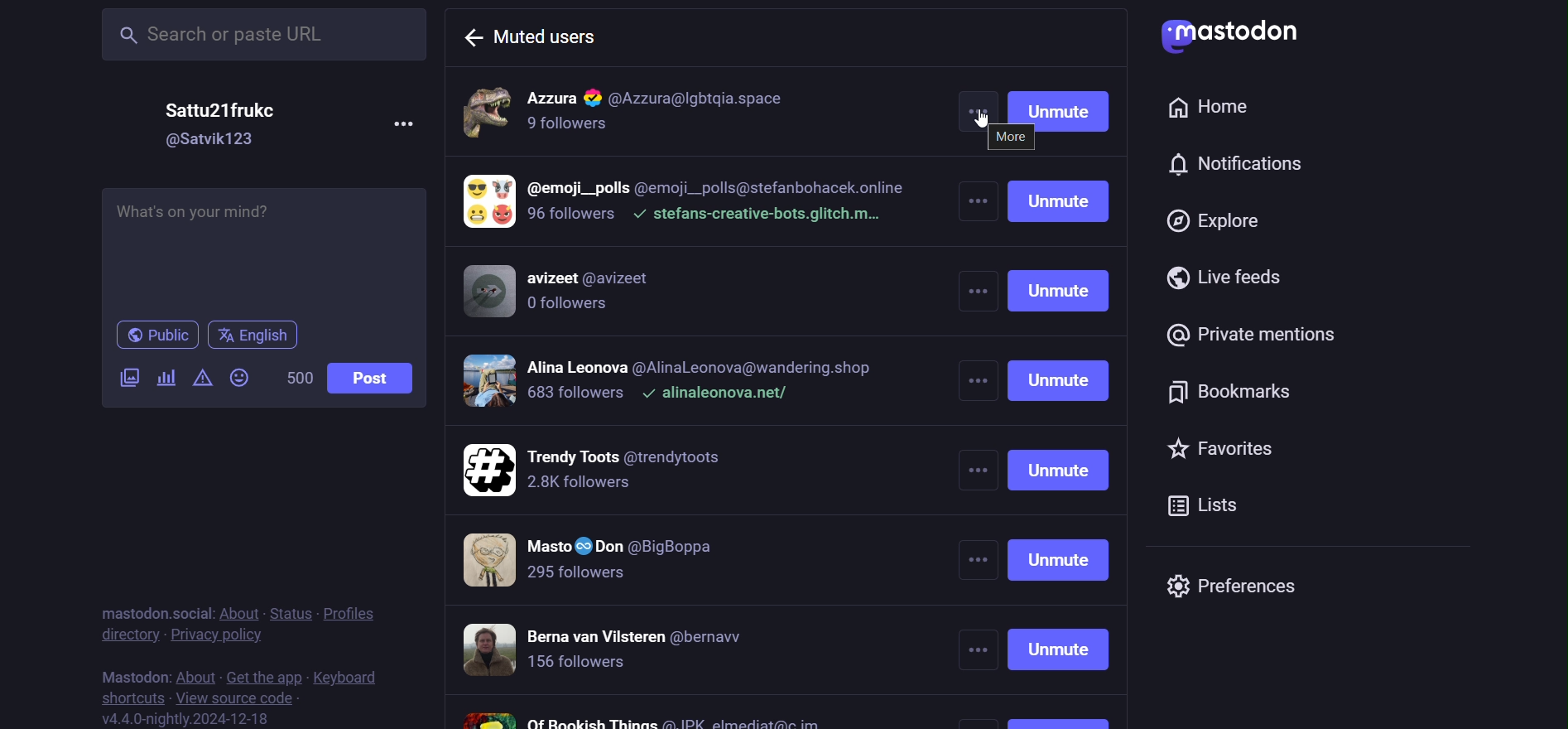 Image resolution: width=1568 pixels, height=729 pixels. Describe the element at coordinates (295, 378) in the screenshot. I see `word limit` at that location.